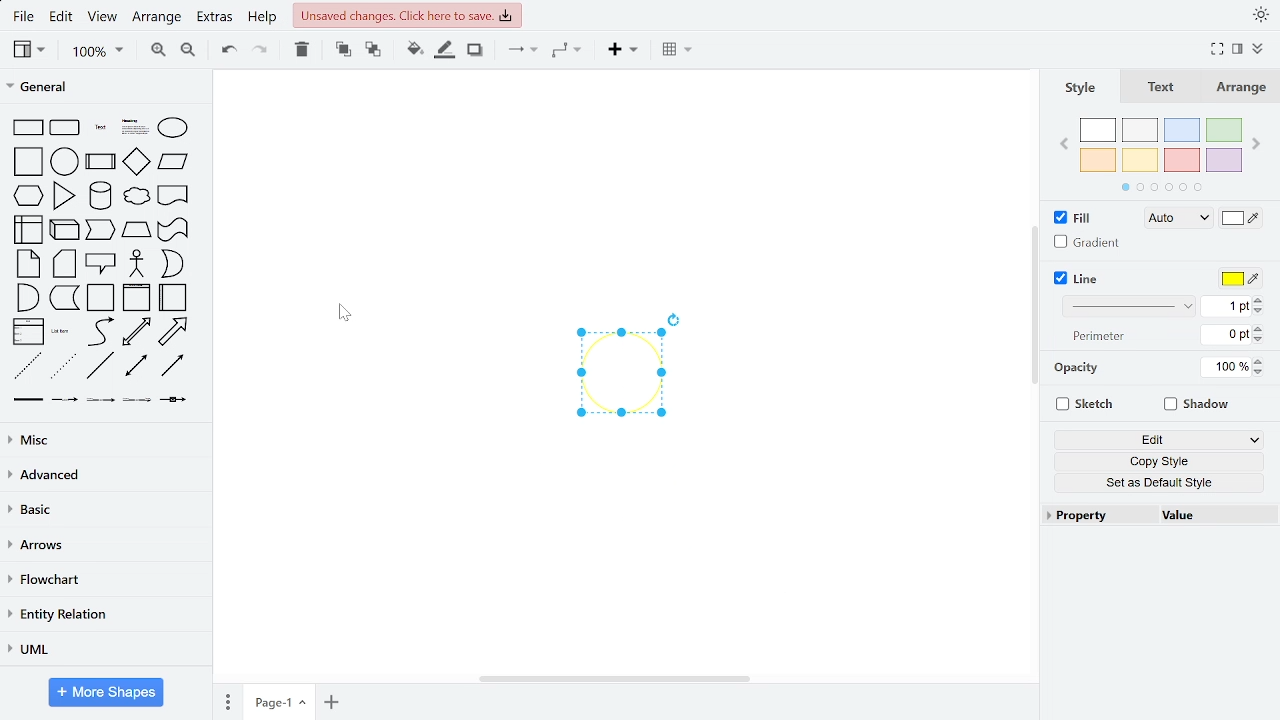 Image resolution: width=1280 pixels, height=720 pixels. I want to click on cloud, so click(136, 199).